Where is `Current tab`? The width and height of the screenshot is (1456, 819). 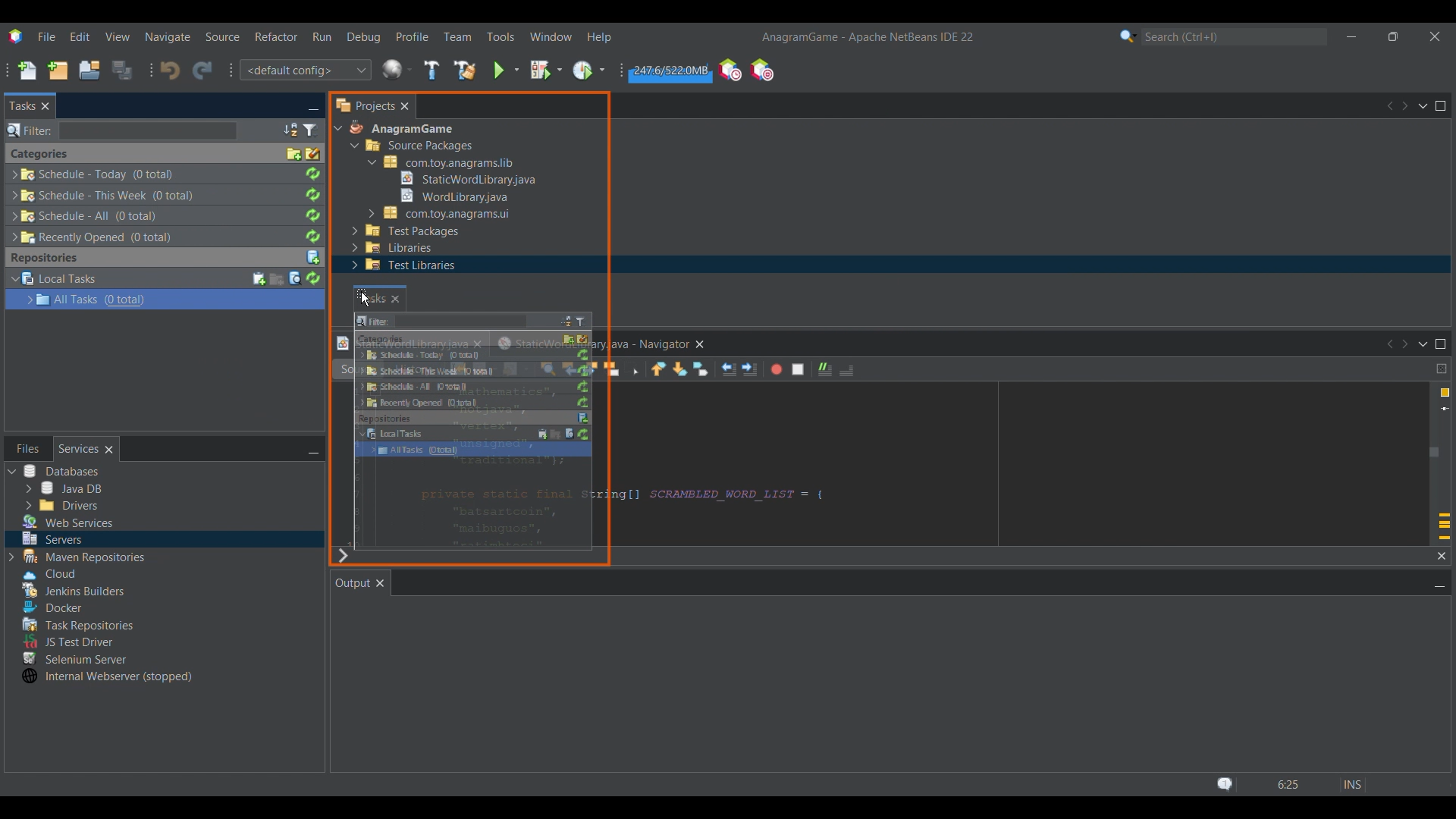
Current tab is located at coordinates (23, 106).